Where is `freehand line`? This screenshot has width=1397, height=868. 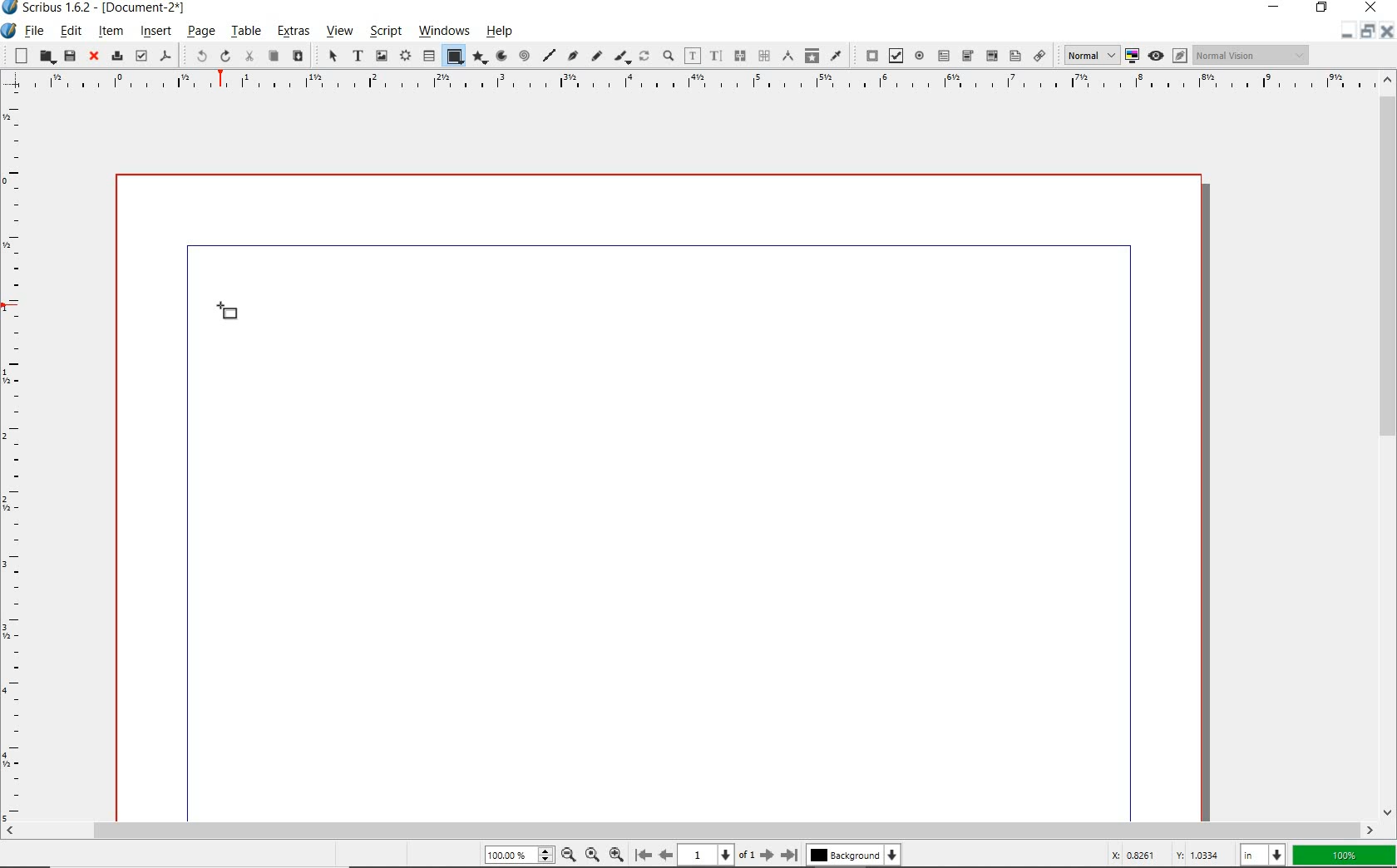 freehand line is located at coordinates (596, 57).